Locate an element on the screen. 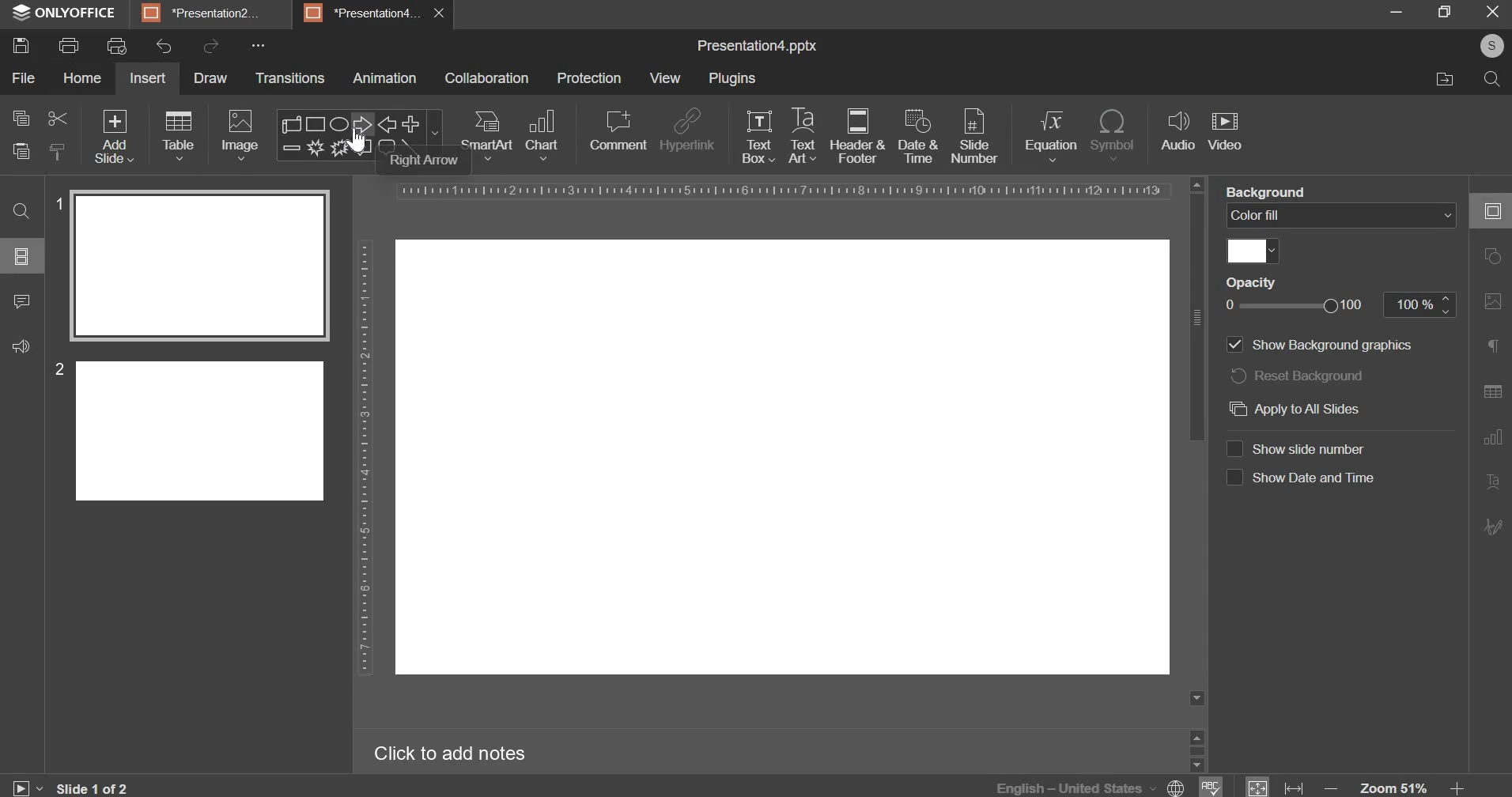  s is located at coordinates (1495, 46).